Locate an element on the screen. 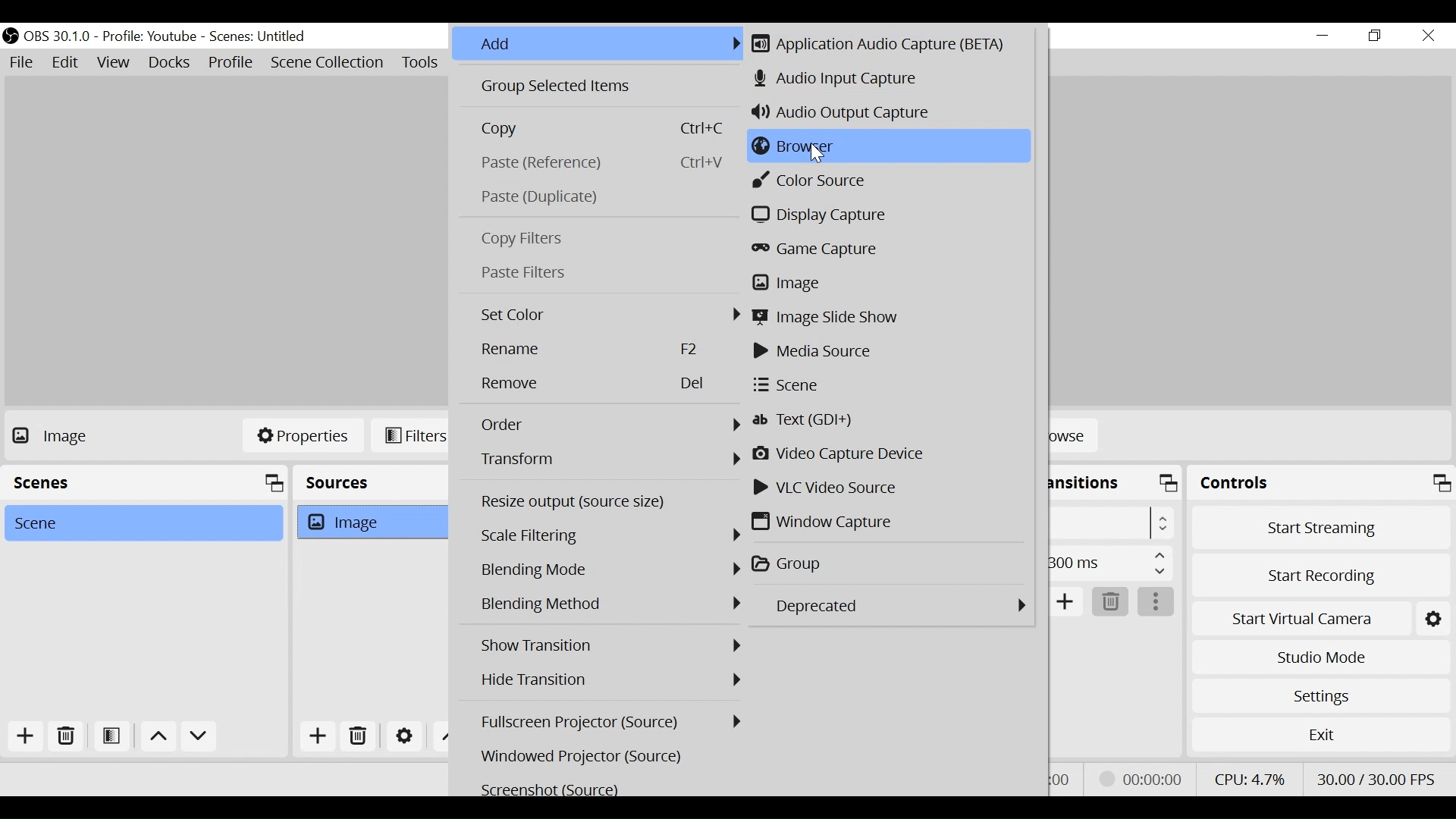  Audio Output Capture is located at coordinates (893, 114).